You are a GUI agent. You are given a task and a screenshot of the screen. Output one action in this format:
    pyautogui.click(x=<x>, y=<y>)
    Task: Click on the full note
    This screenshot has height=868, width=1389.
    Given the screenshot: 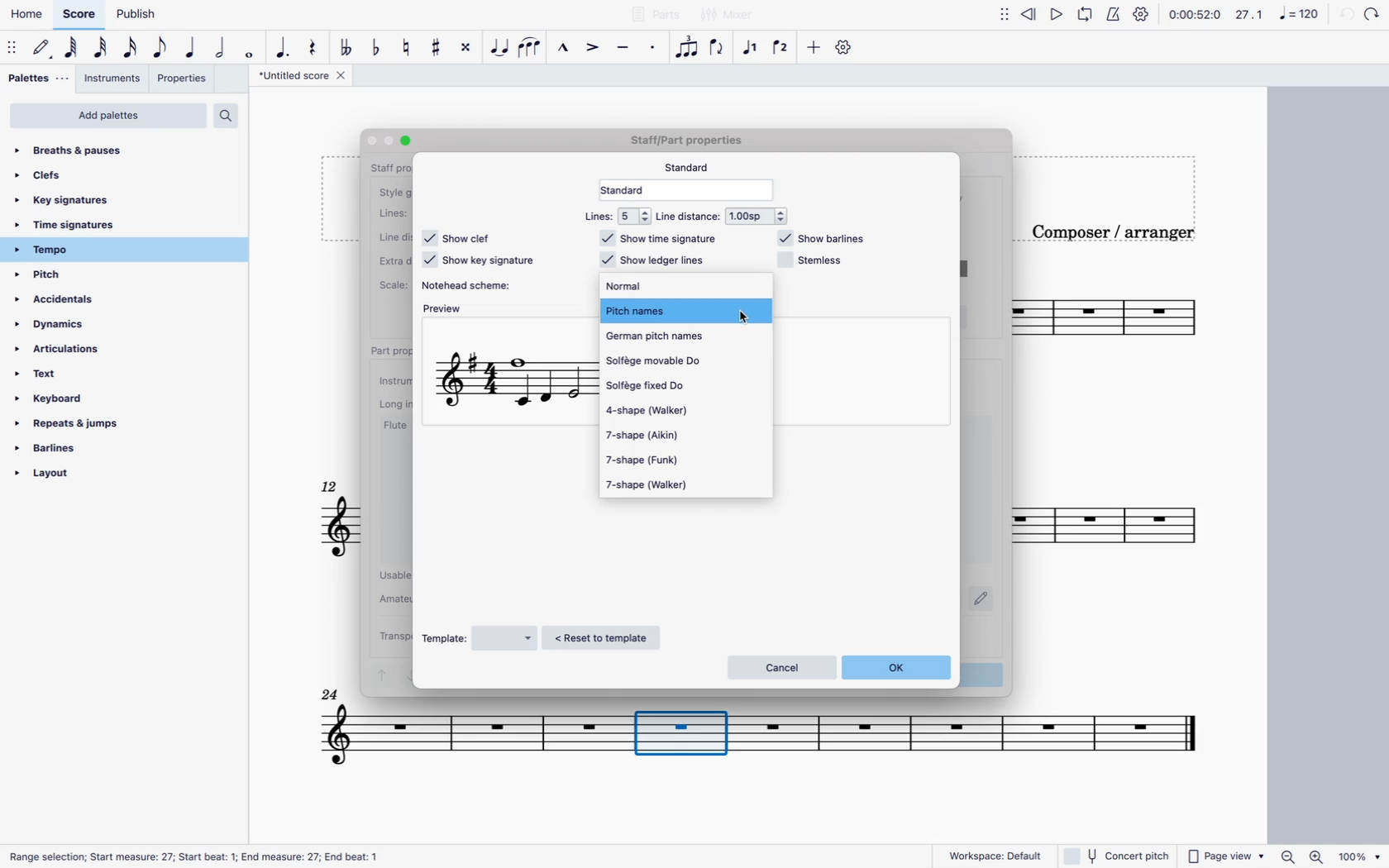 What is the action you would take?
    pyautogui.click(x=250, y=48)
    